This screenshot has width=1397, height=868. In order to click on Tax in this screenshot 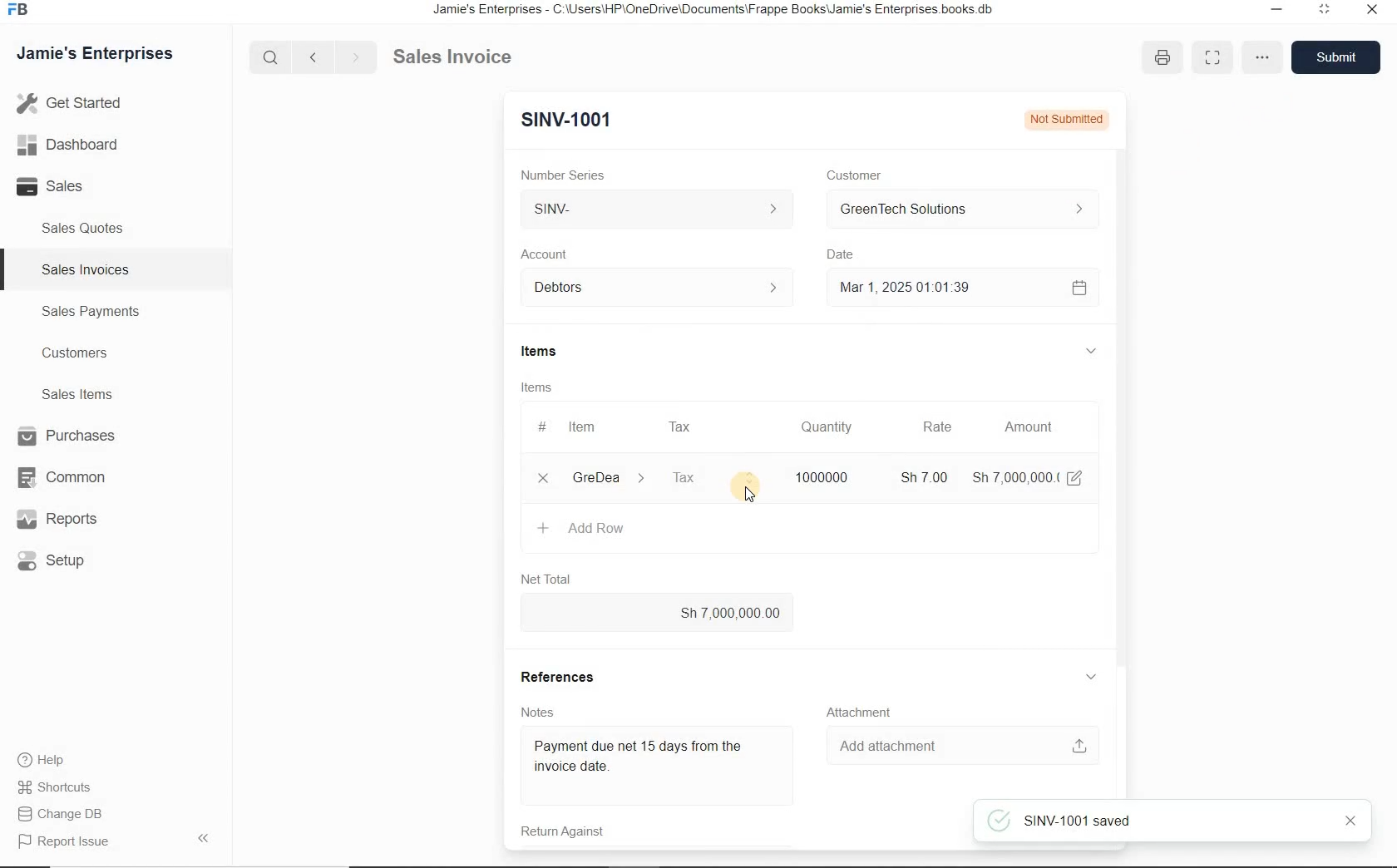, I will do `click(711, 476)`.